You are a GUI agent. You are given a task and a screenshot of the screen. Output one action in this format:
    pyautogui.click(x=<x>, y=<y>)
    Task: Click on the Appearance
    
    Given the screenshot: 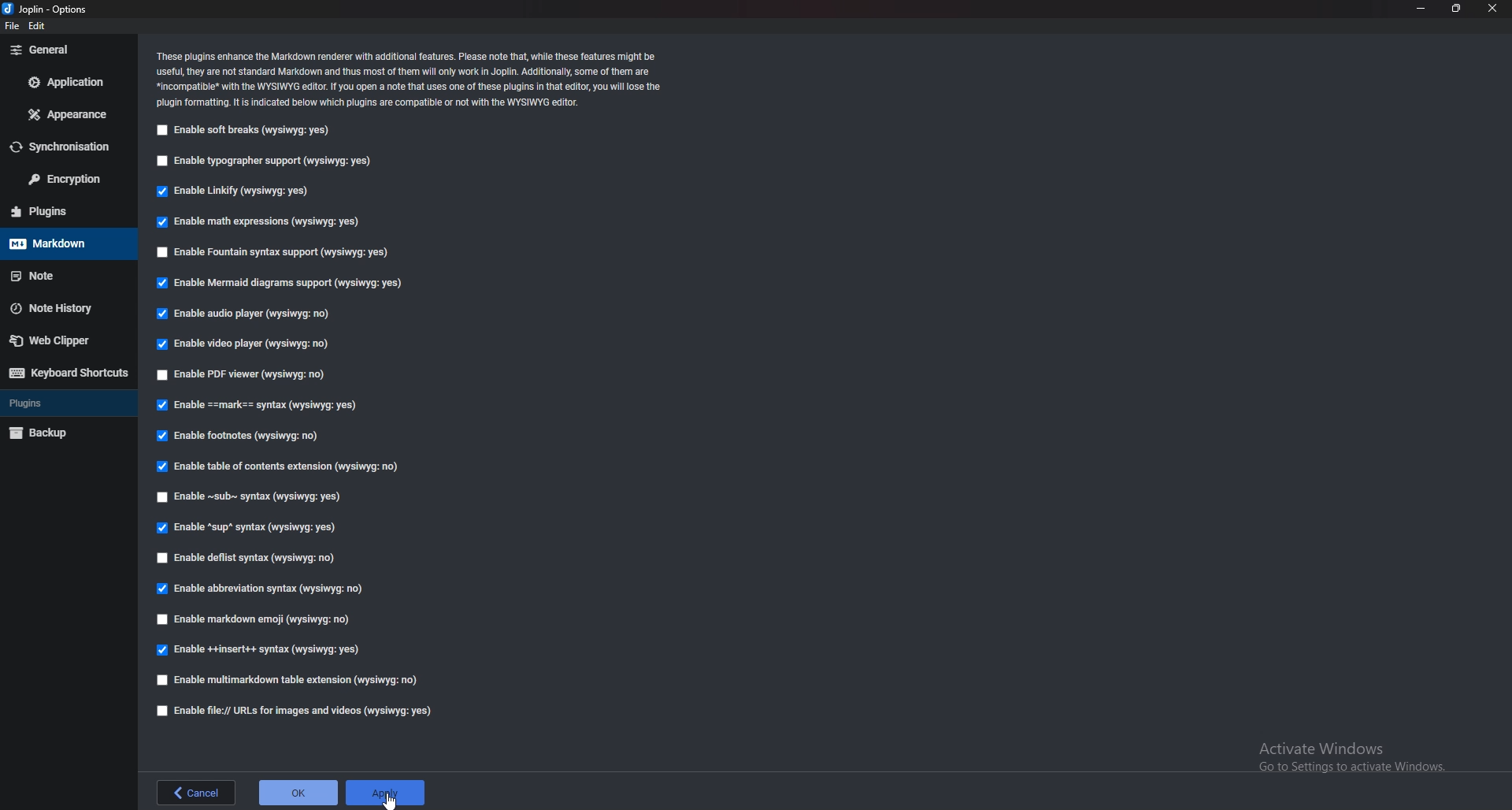 What is the action you would take?
    pyautogui.click(x=66, y=114)
    